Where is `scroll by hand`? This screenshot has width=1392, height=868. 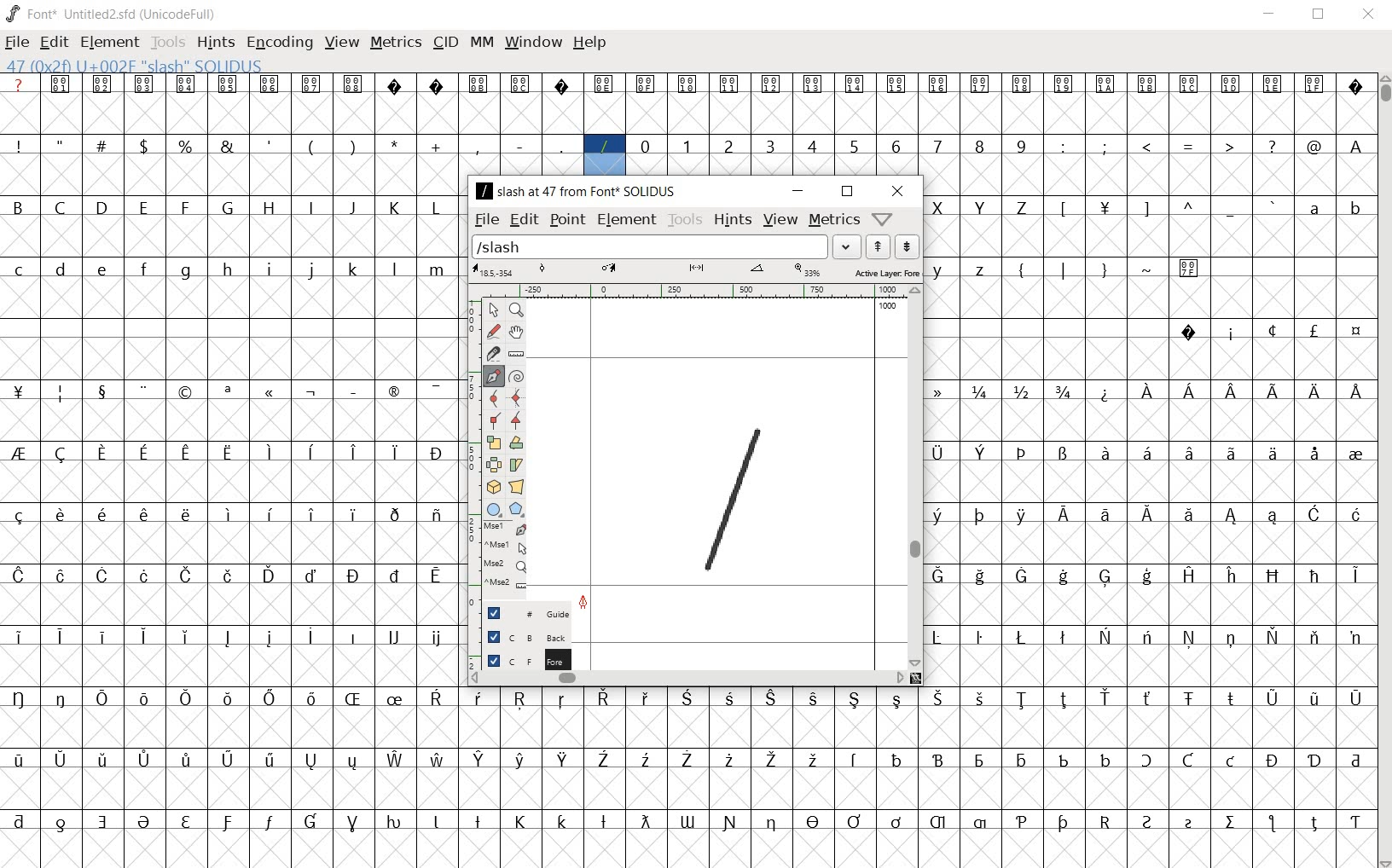
scroll by hand is located at coordinates (519, 333).